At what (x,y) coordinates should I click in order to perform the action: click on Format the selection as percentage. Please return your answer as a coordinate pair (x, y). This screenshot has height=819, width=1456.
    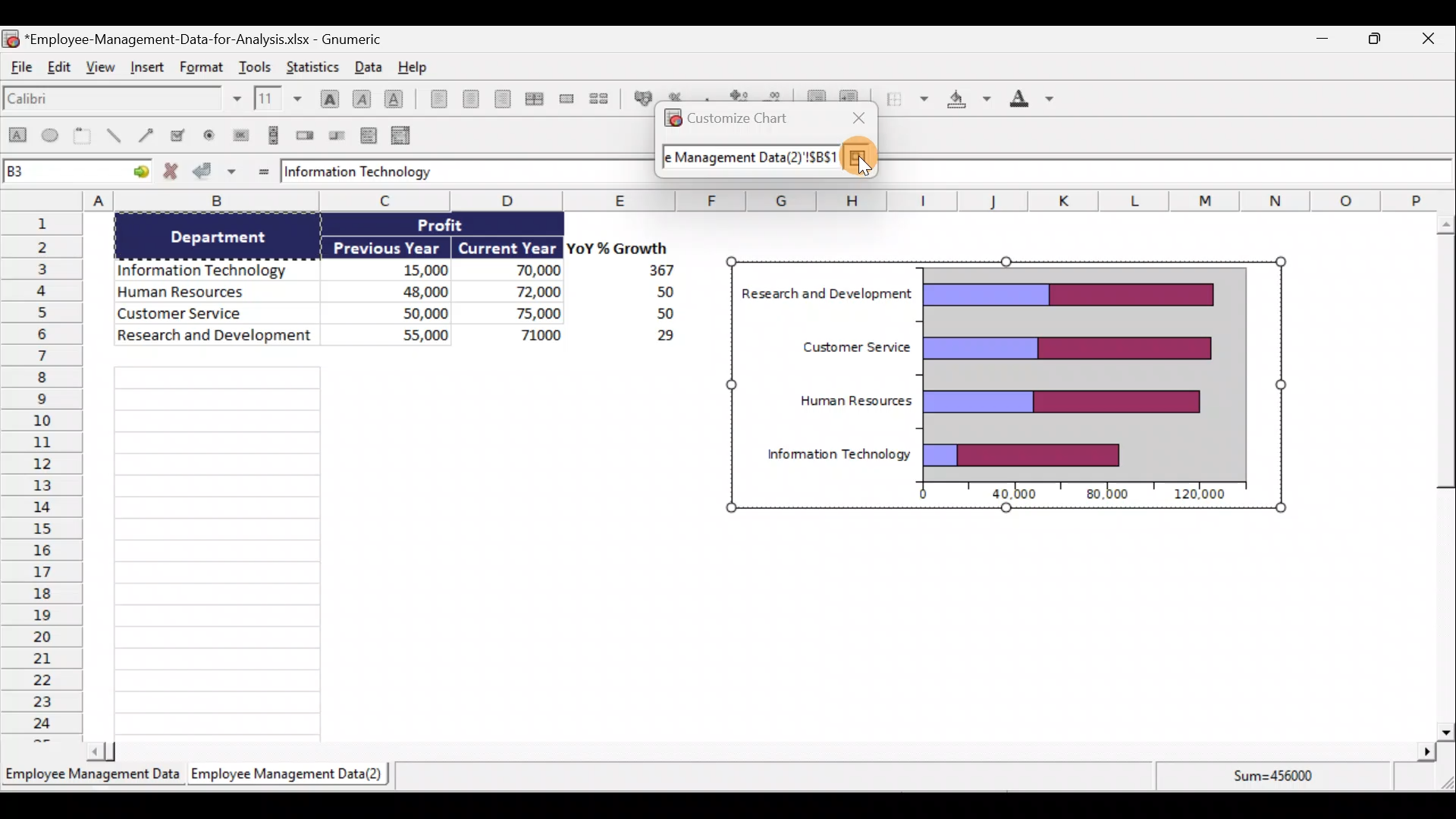
    Looking at the image, I should click on (679, 96).